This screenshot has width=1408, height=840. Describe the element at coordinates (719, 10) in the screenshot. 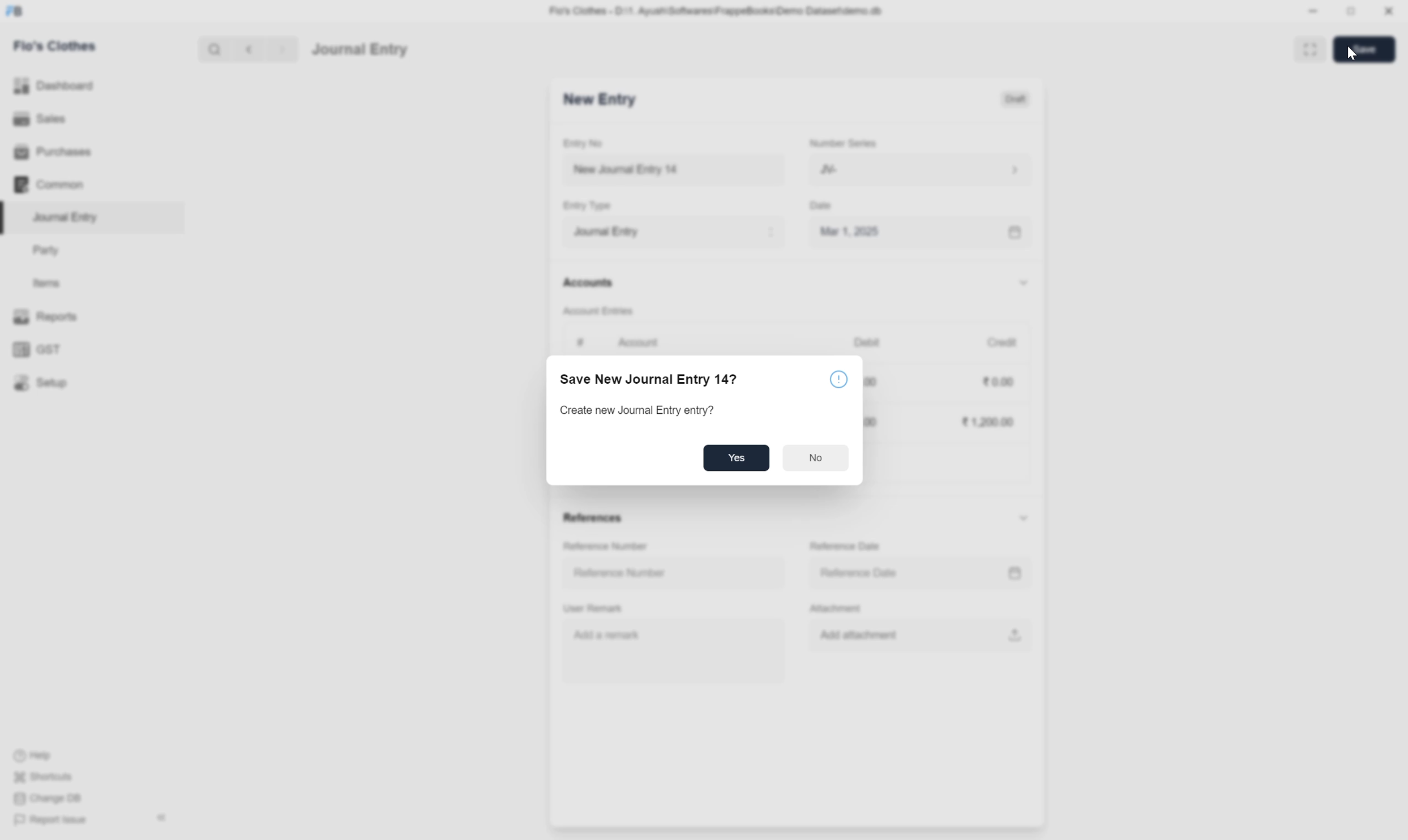

I see `Flo's Clothes - D:\1. Ayush\Softwares\FrappeBooks\Demo Dataset\demo.db` at that location.